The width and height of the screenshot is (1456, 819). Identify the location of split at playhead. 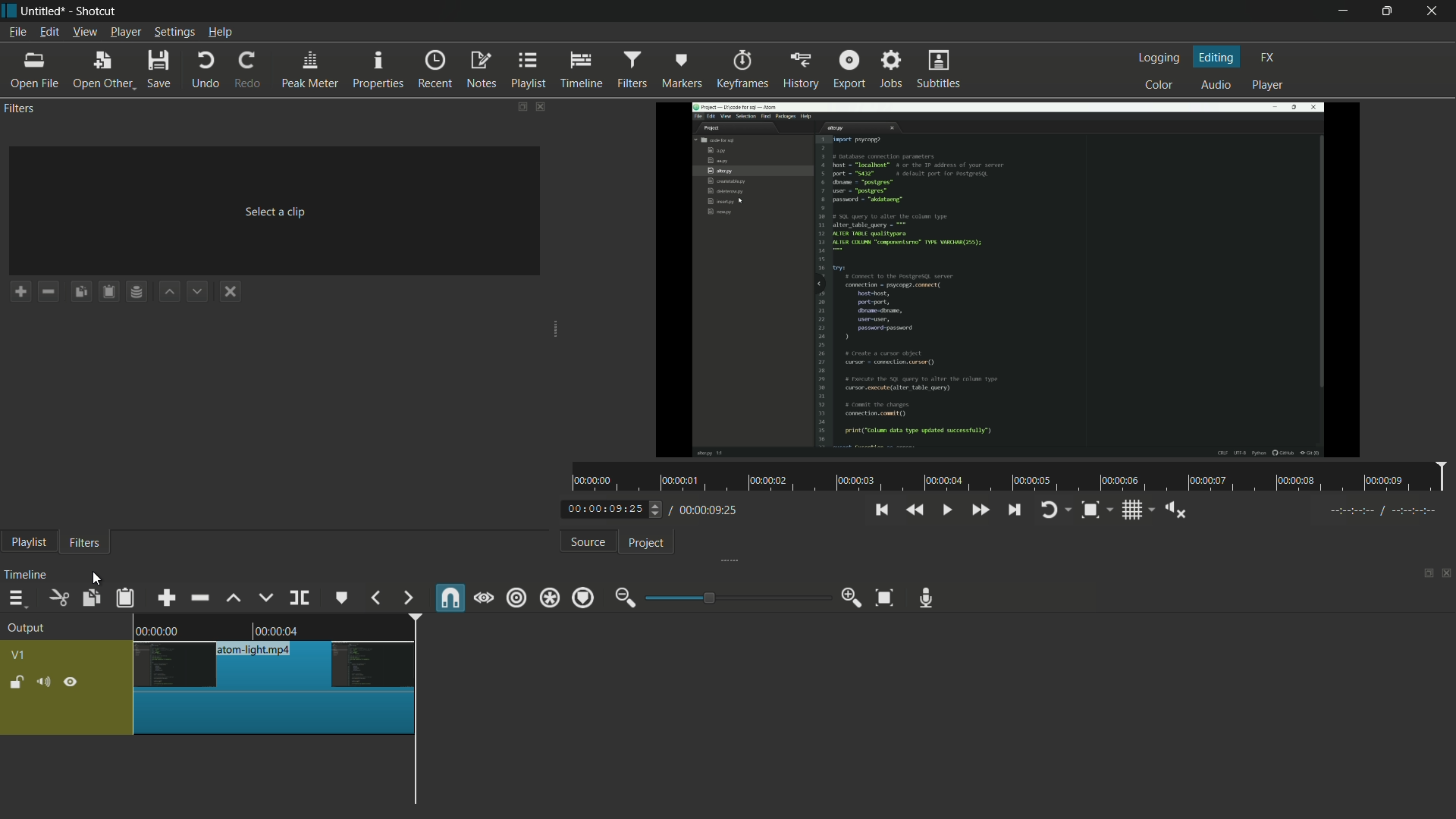
(300, 598).